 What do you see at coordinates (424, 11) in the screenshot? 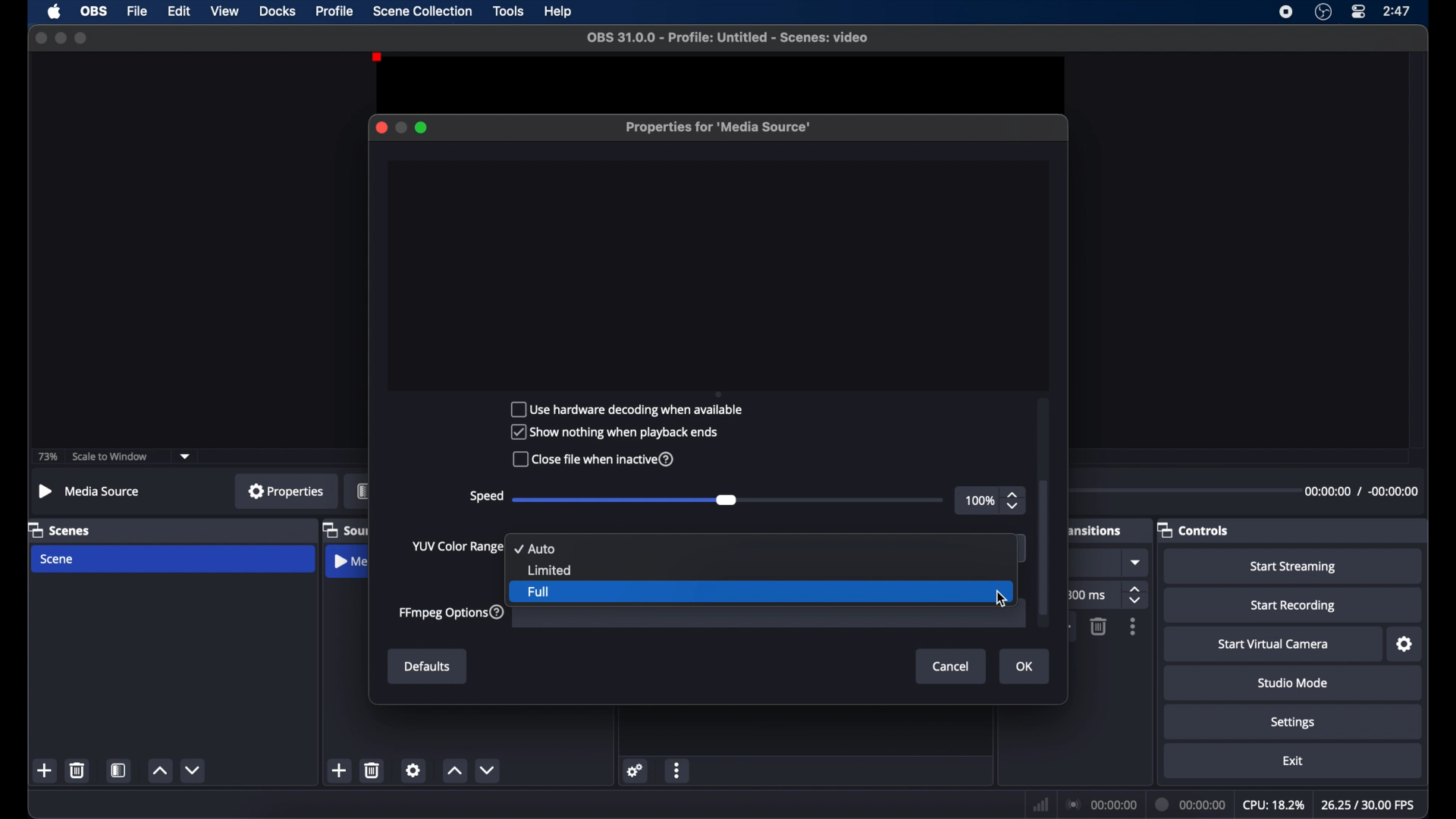
I see `scene collection` at bounding box center [424, 11].